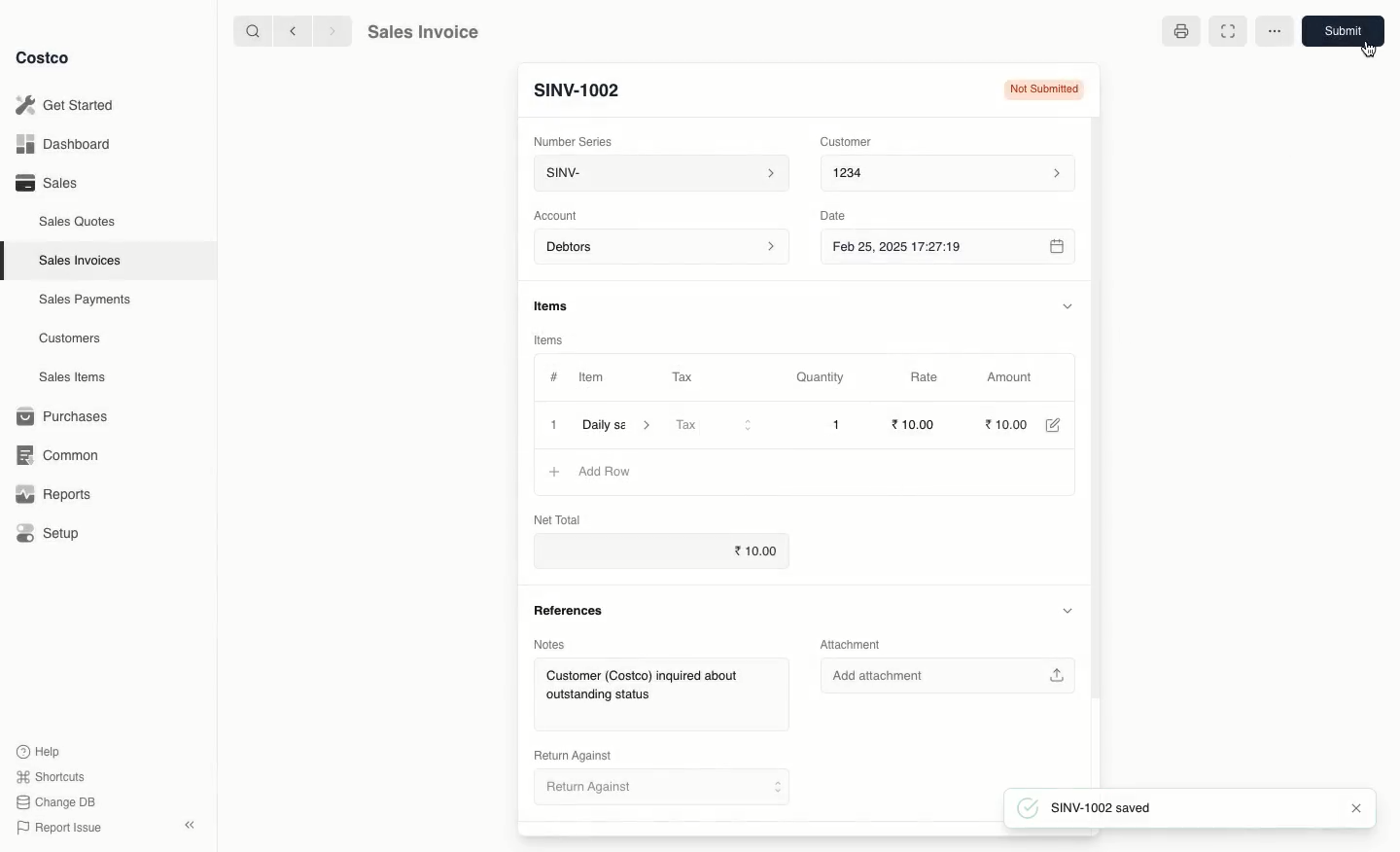 This screenshot has height=852, width=1400. What do you see at coordinates (951, 250) in the screenshot?
I see `Feb 25, 2025 17:27:19` at bounding box center [951, 250].